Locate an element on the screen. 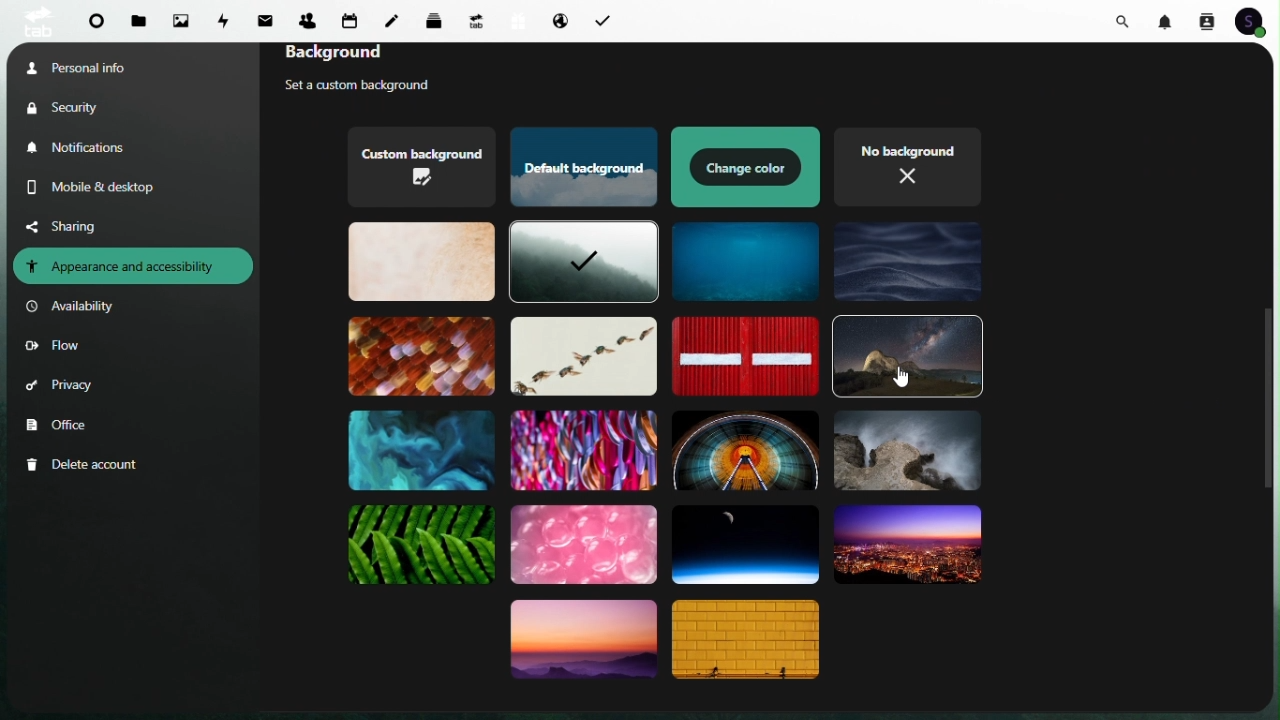  Mobile and desktop is located at coordinates (107, 187).